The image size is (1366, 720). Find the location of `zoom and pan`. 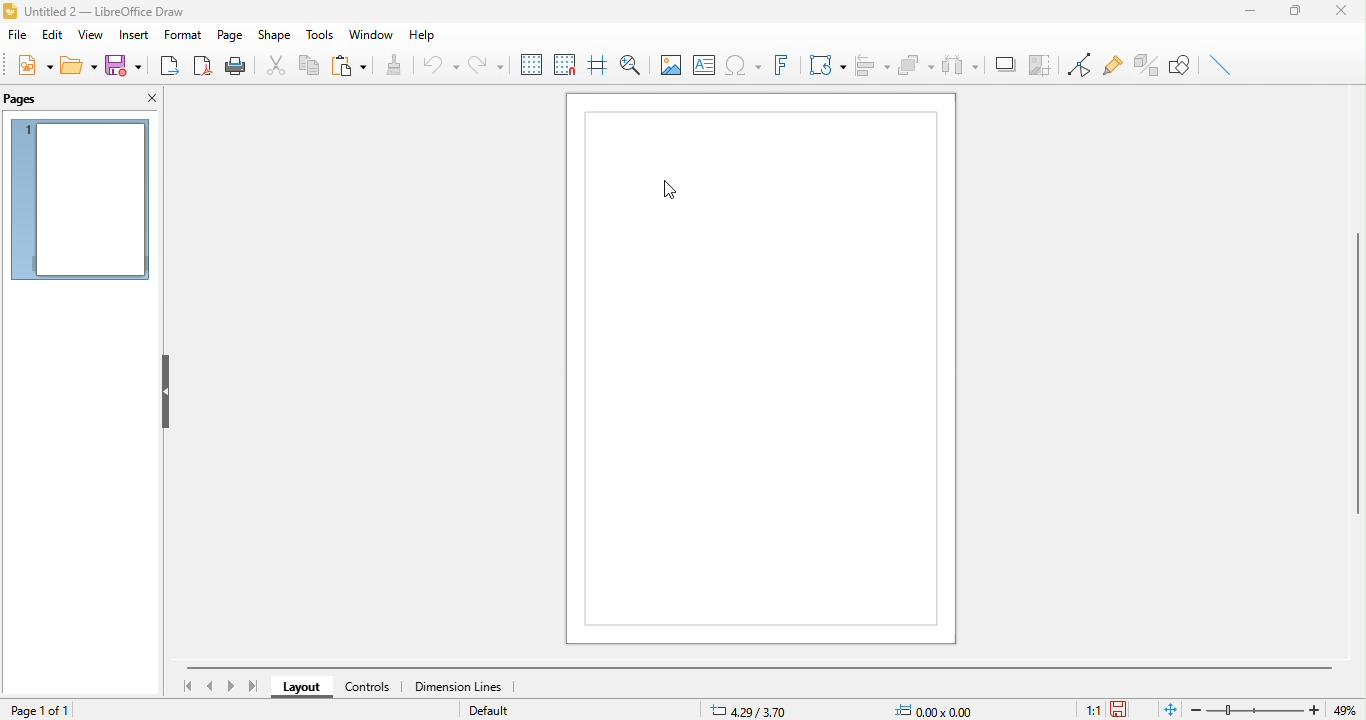

zoom and pan is located at coordinates (629, 66).